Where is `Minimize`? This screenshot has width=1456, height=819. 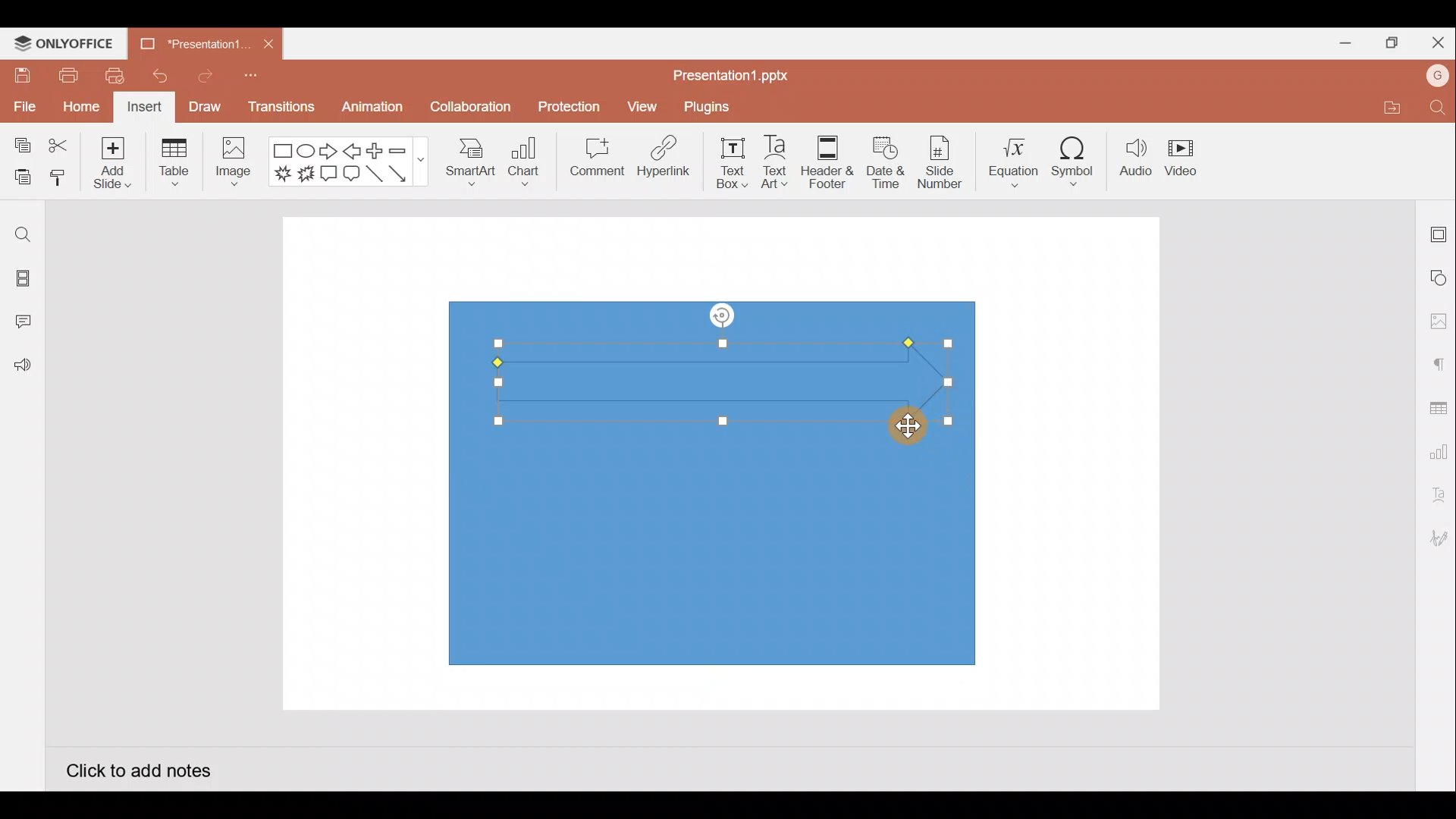
Minimize is located at coordinates (1339, 40).